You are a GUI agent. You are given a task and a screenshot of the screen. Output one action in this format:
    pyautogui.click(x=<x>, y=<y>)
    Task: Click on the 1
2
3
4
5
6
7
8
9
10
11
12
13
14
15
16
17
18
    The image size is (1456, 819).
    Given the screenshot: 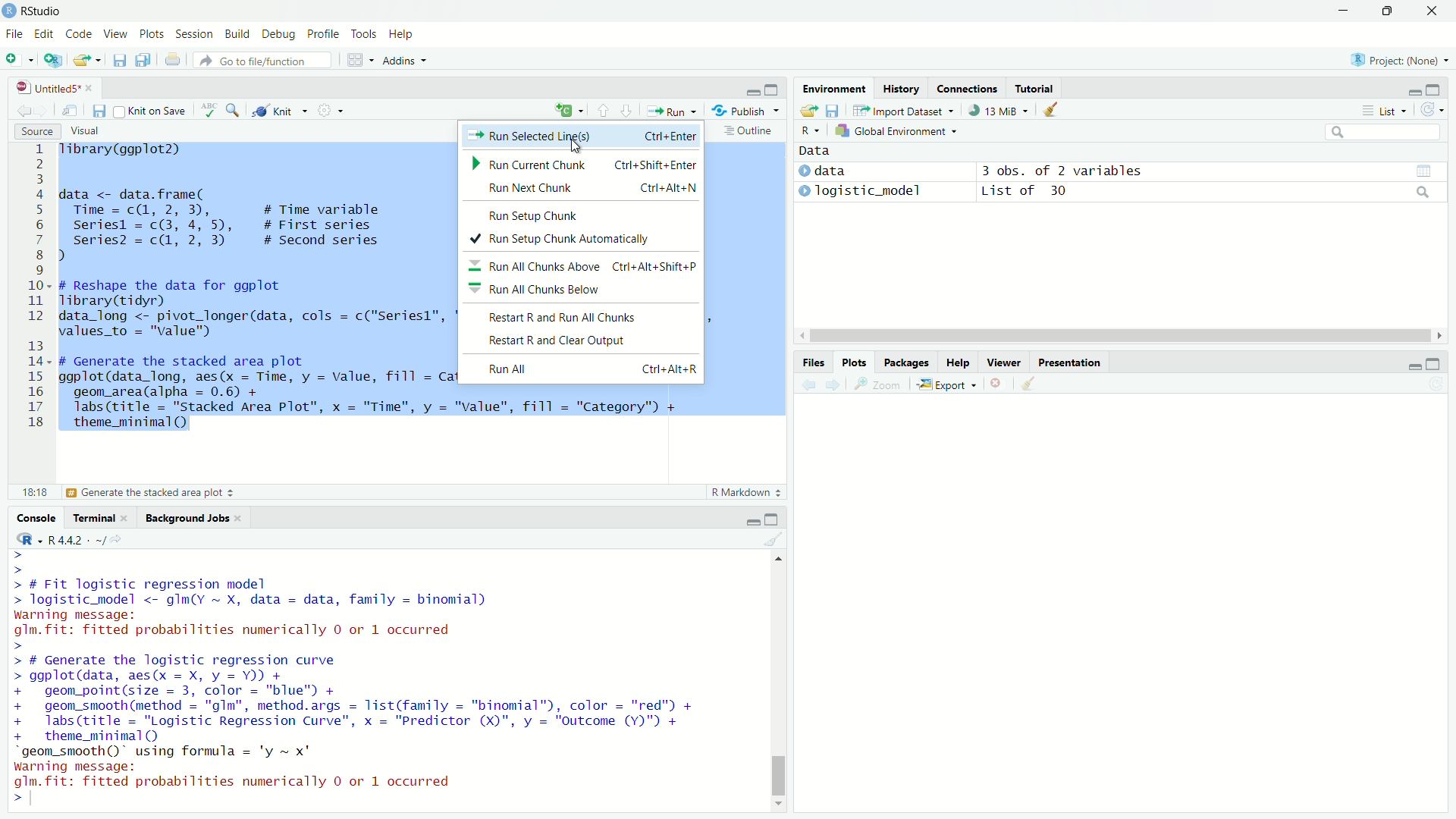 What is the action you would take?
    pyautogui.click(x=31, y=290)
    